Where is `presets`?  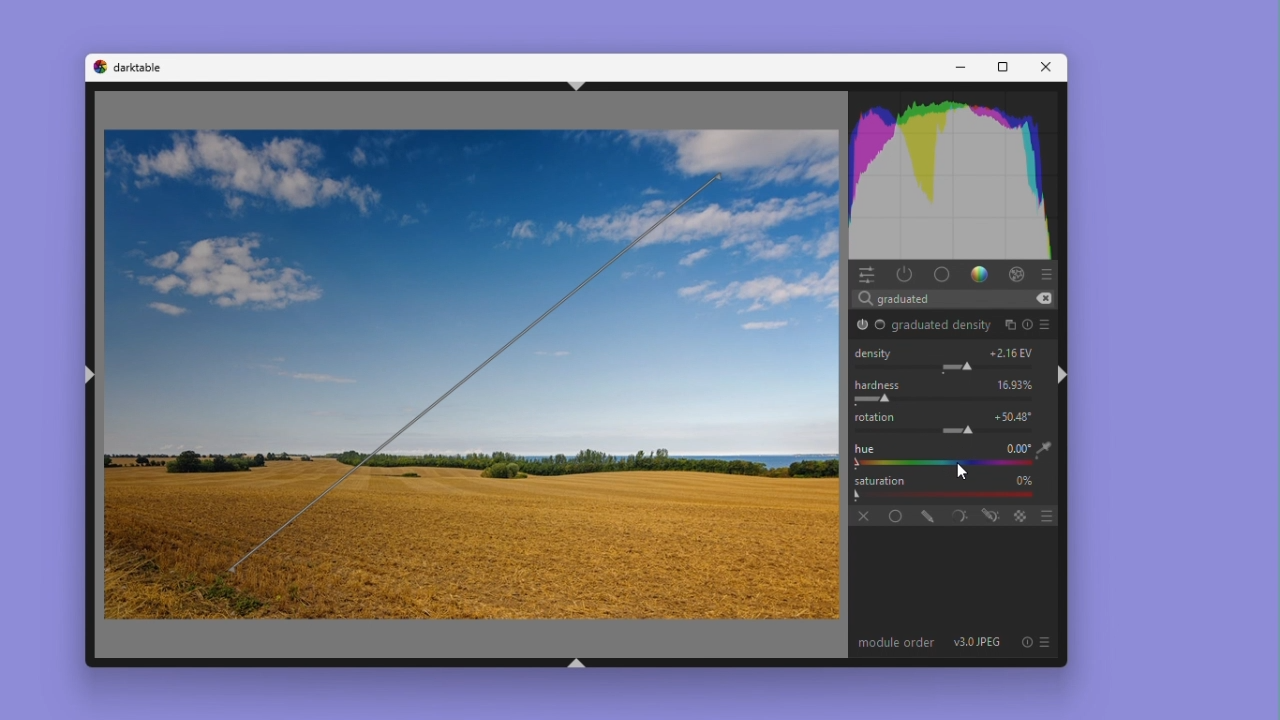
presets is located at coordinates (1050, 272).